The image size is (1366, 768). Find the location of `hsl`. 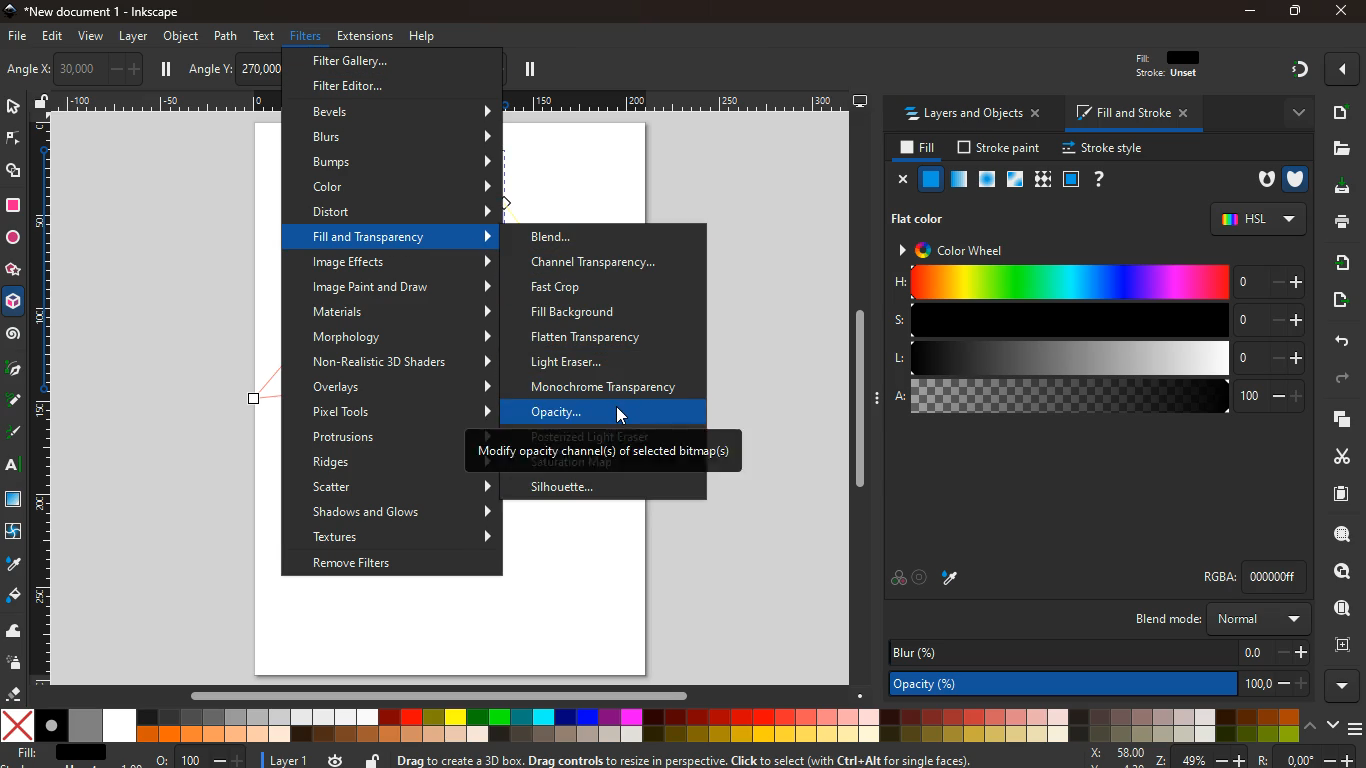

hsl is located at coordinates (1256, 219).